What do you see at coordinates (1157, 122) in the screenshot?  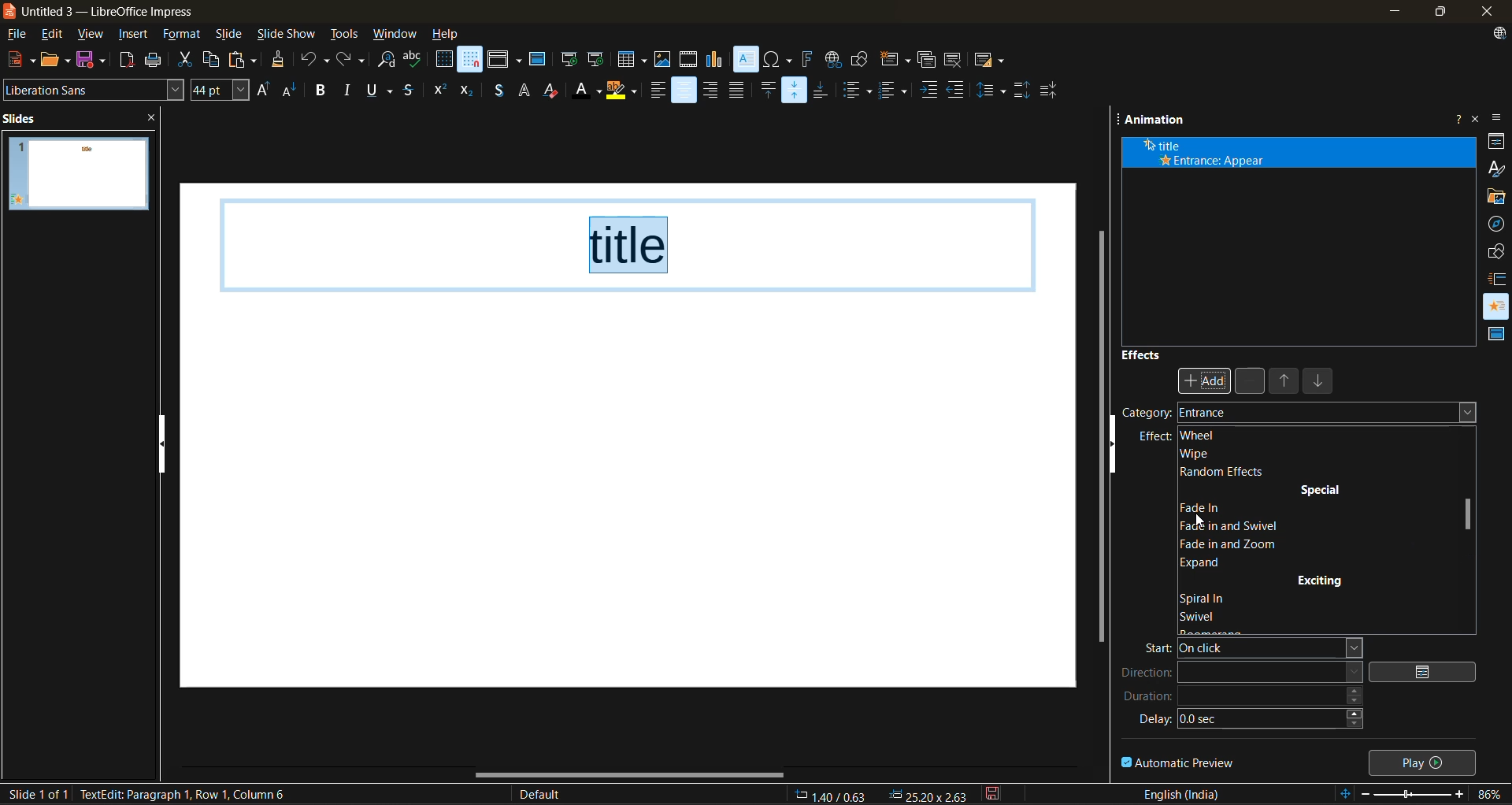 I see `animation` at bounding box center [1157, 122].